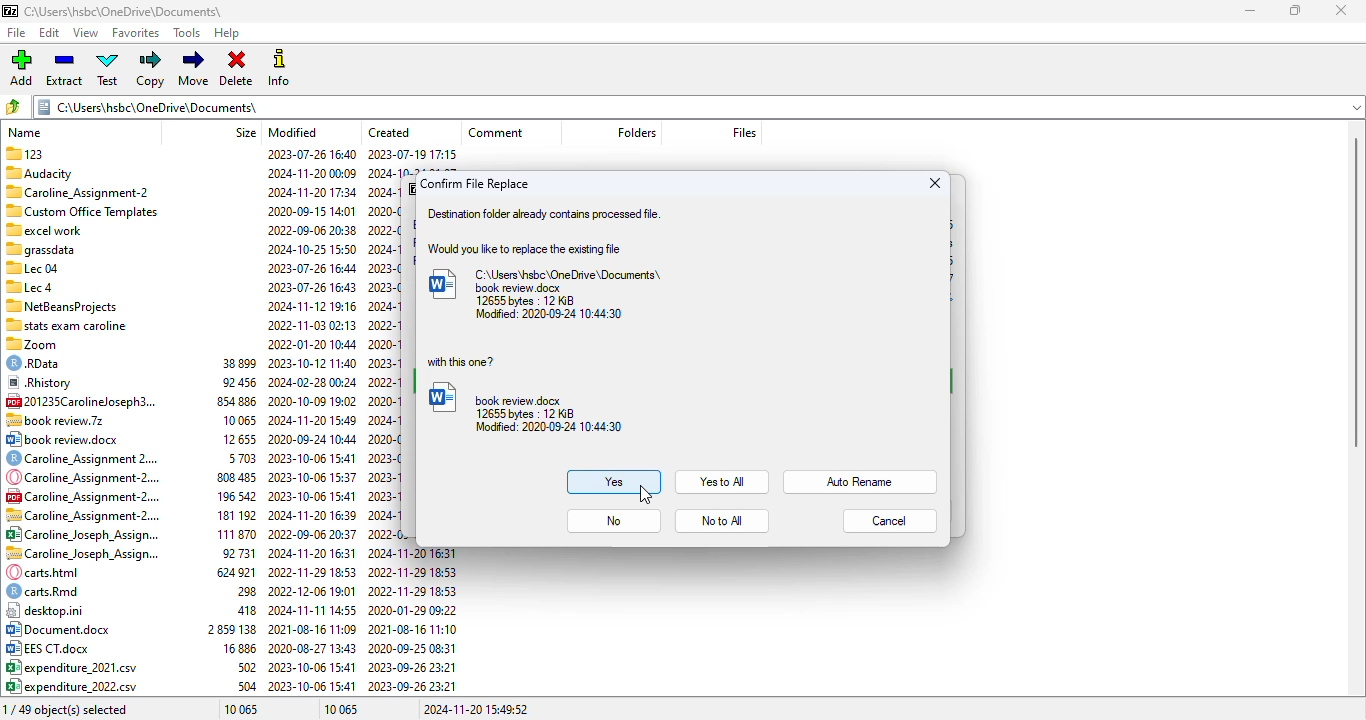 This screenshot has width=1366, height=720. I want to click on file names, so click(81, 564).